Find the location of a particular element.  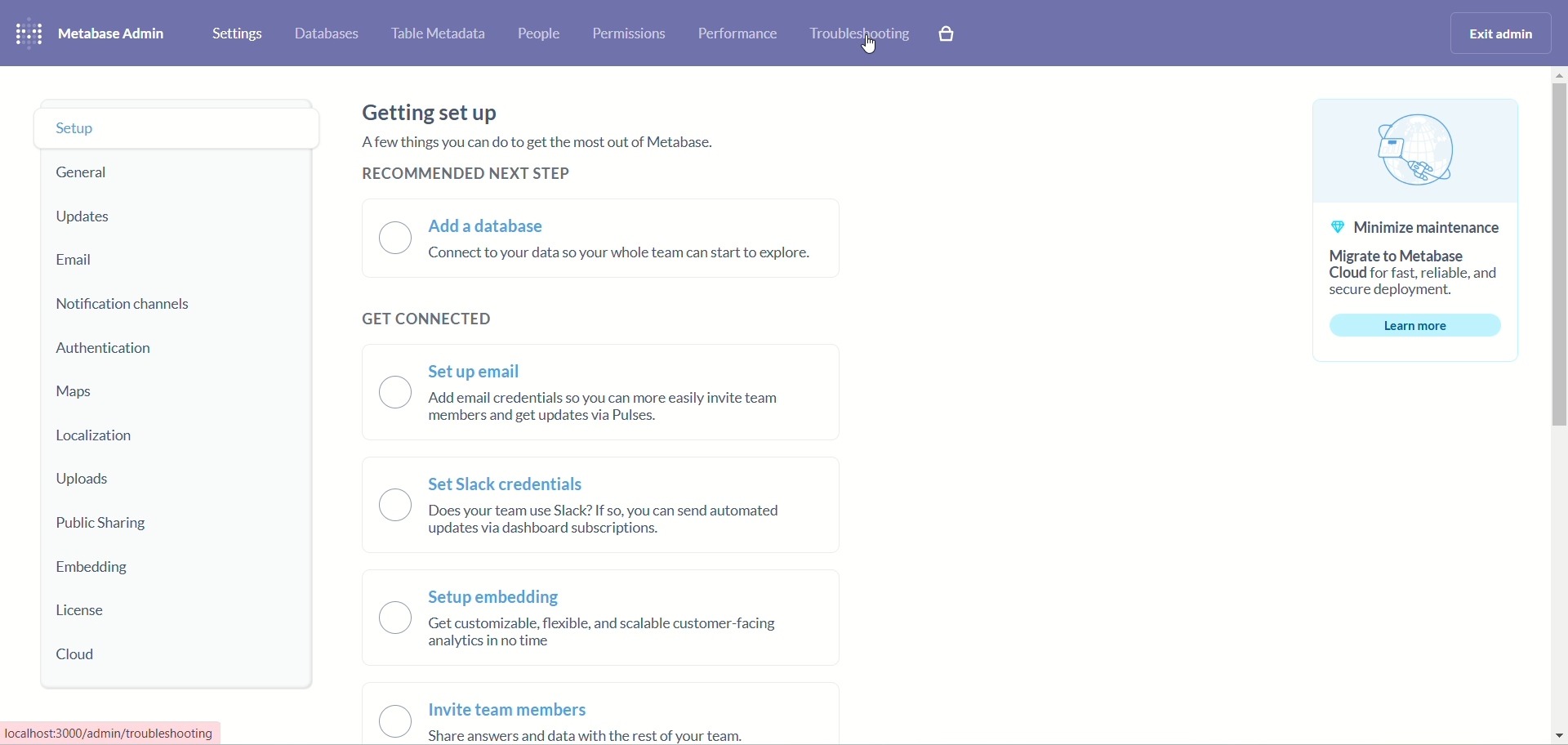

logo is located at coordinates (28, 33).